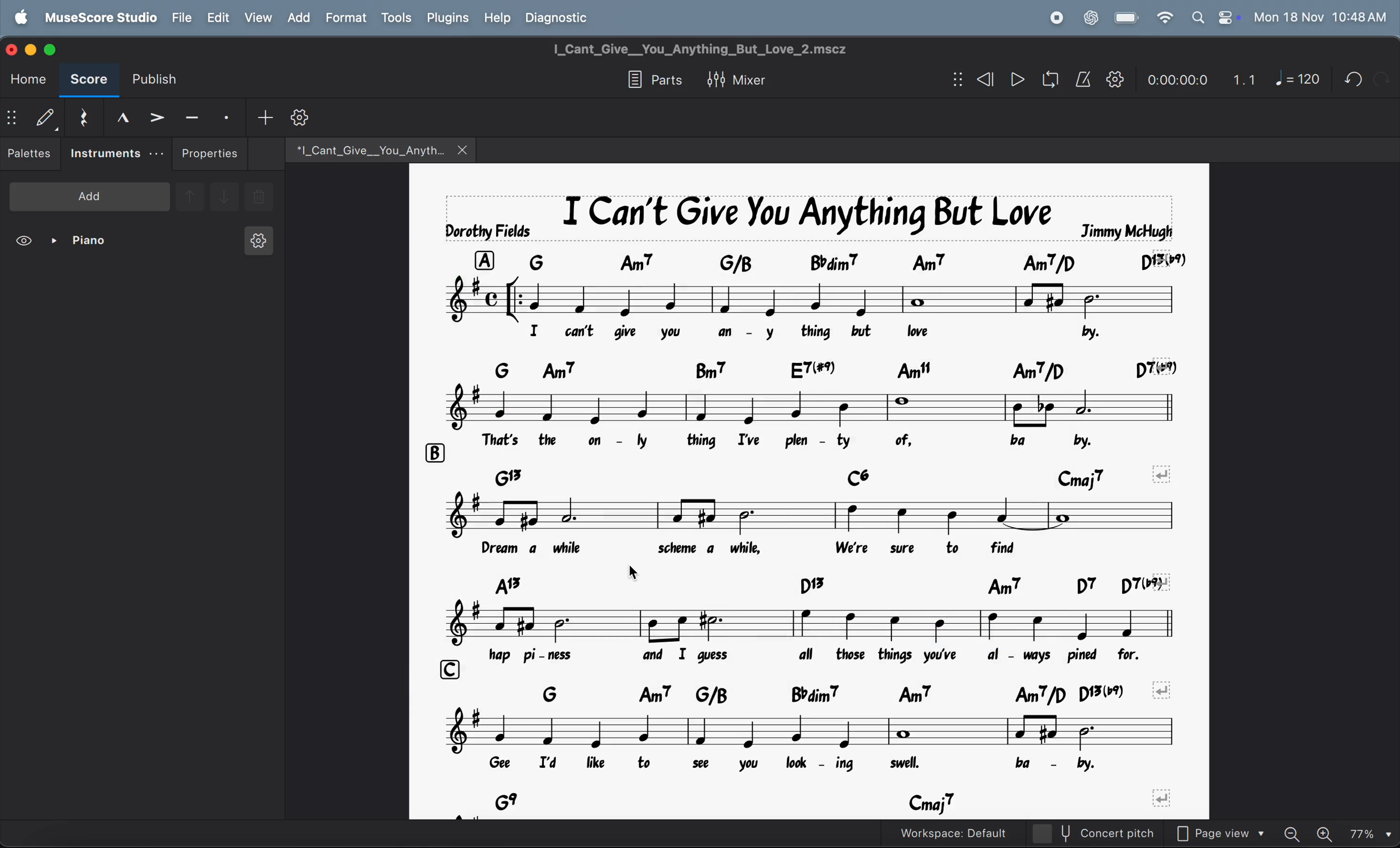 The image size is (1400, 848). What do you see at coordinates (826, 512) in the screenshot?
I see `notes` at bounding box center [826, 512].